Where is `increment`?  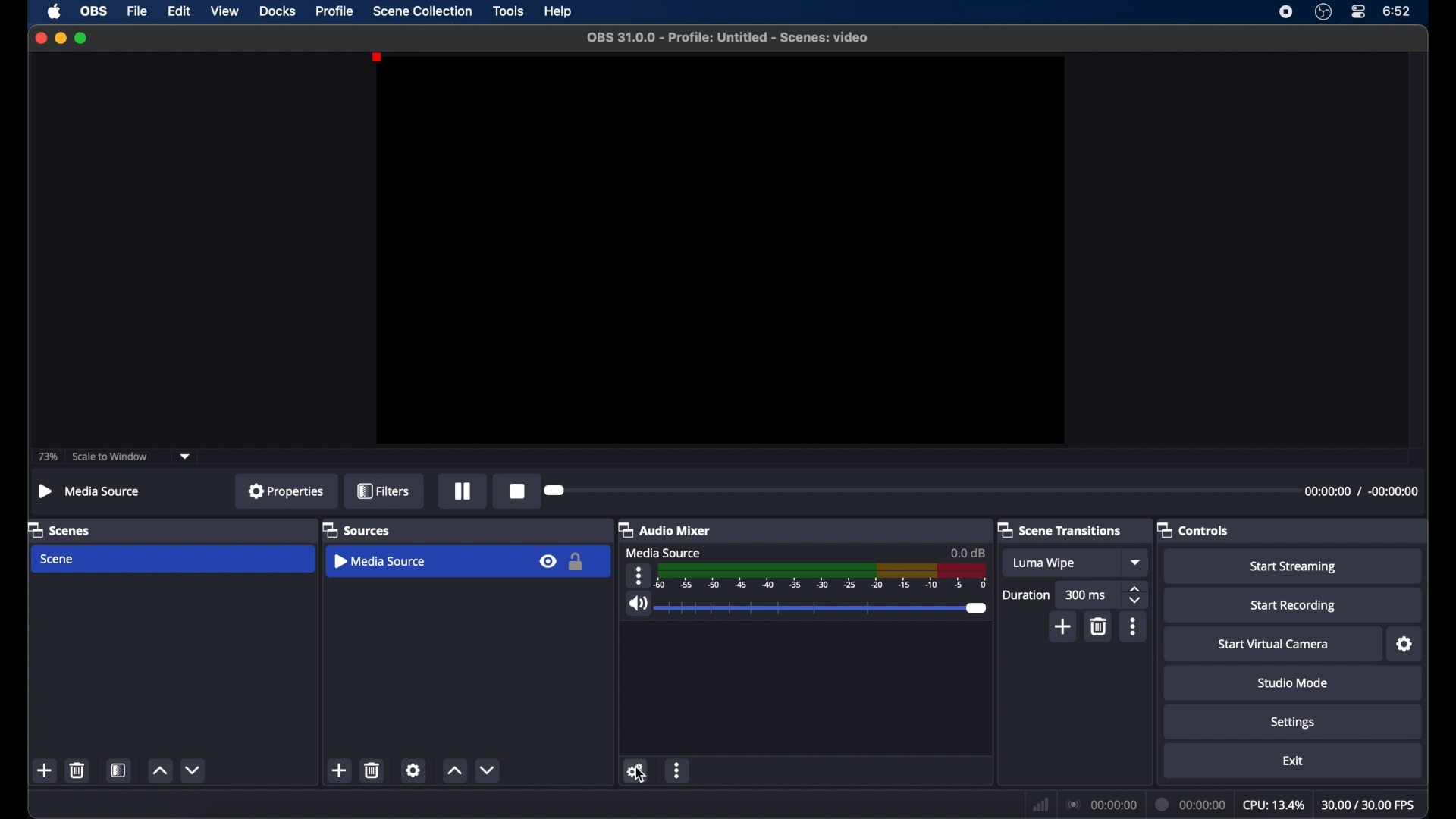 increment is located at coordinates (158, 770).